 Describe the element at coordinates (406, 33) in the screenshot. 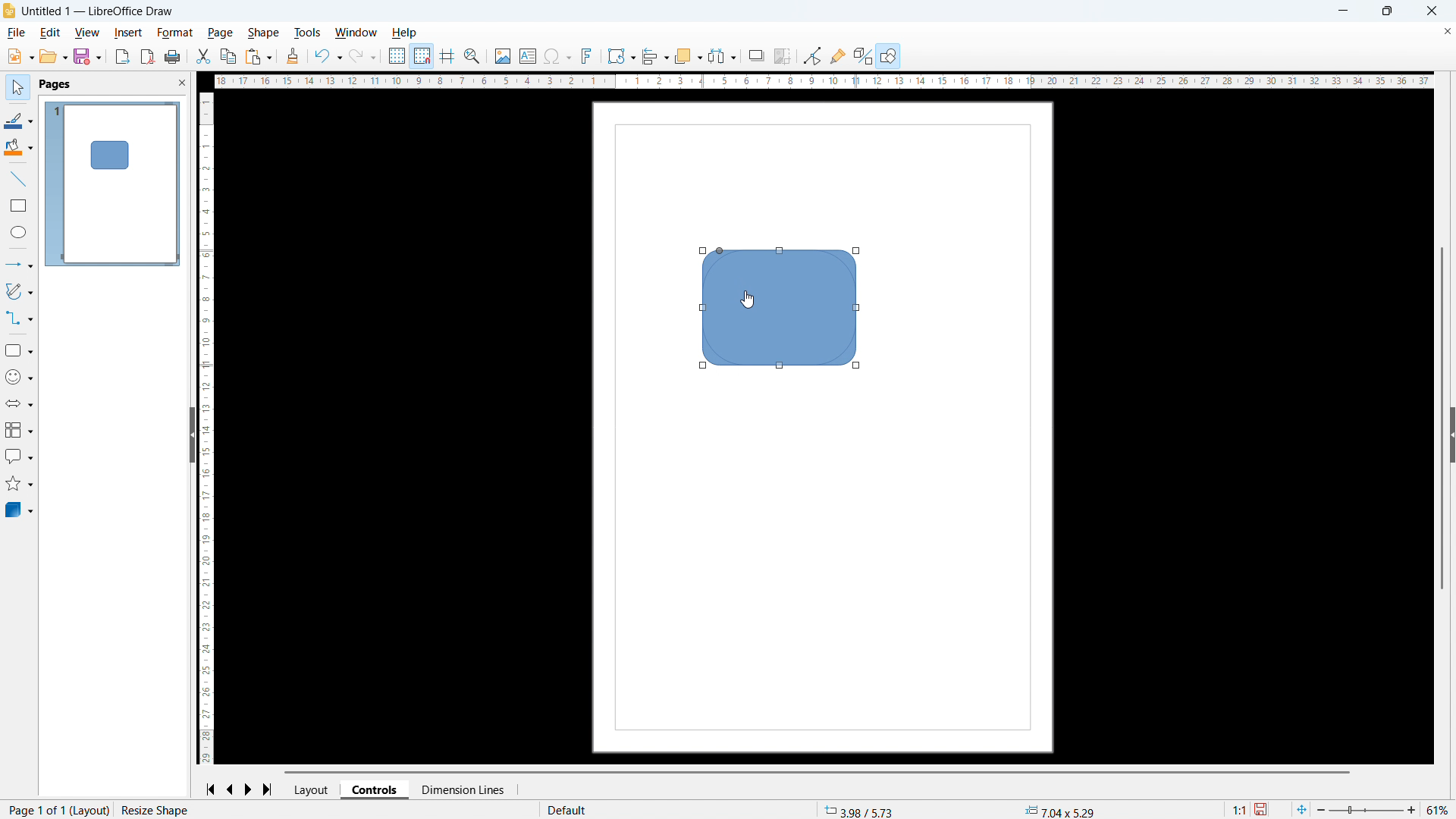

I see `Help ` at that location.